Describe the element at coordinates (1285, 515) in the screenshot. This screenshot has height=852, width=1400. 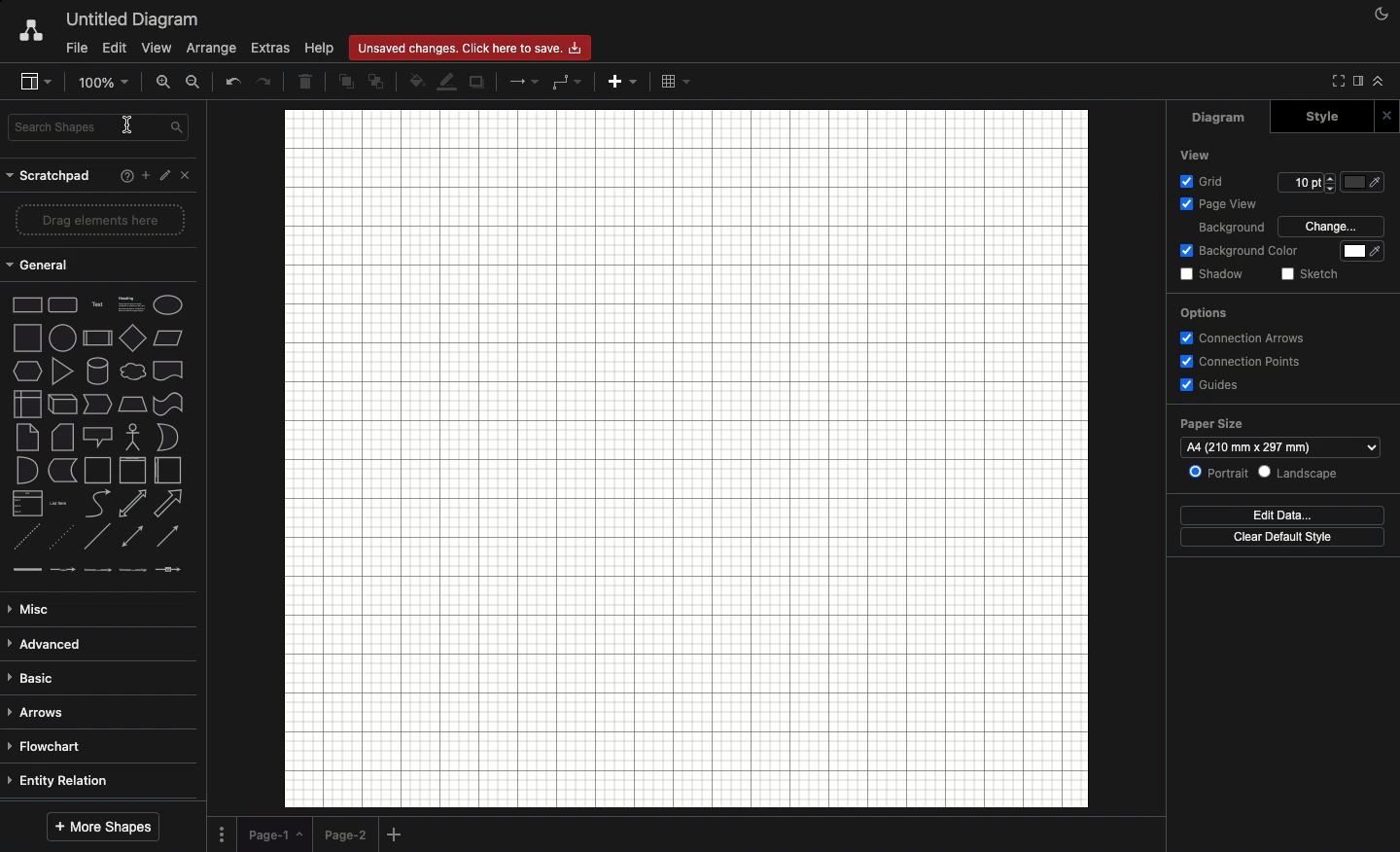
I see `Edit data` at that location.